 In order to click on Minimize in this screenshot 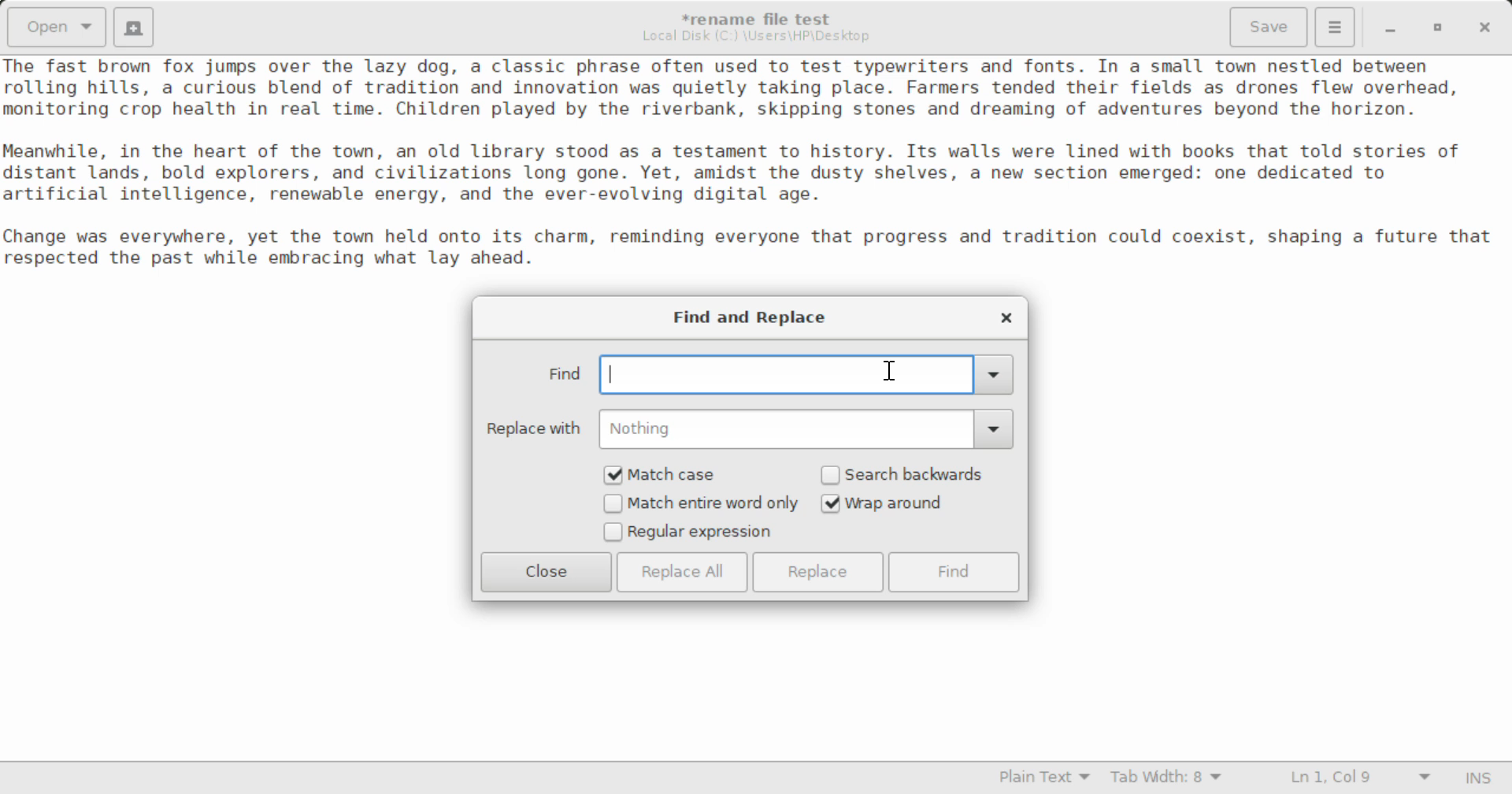, I will do `click(1440, 27)`.